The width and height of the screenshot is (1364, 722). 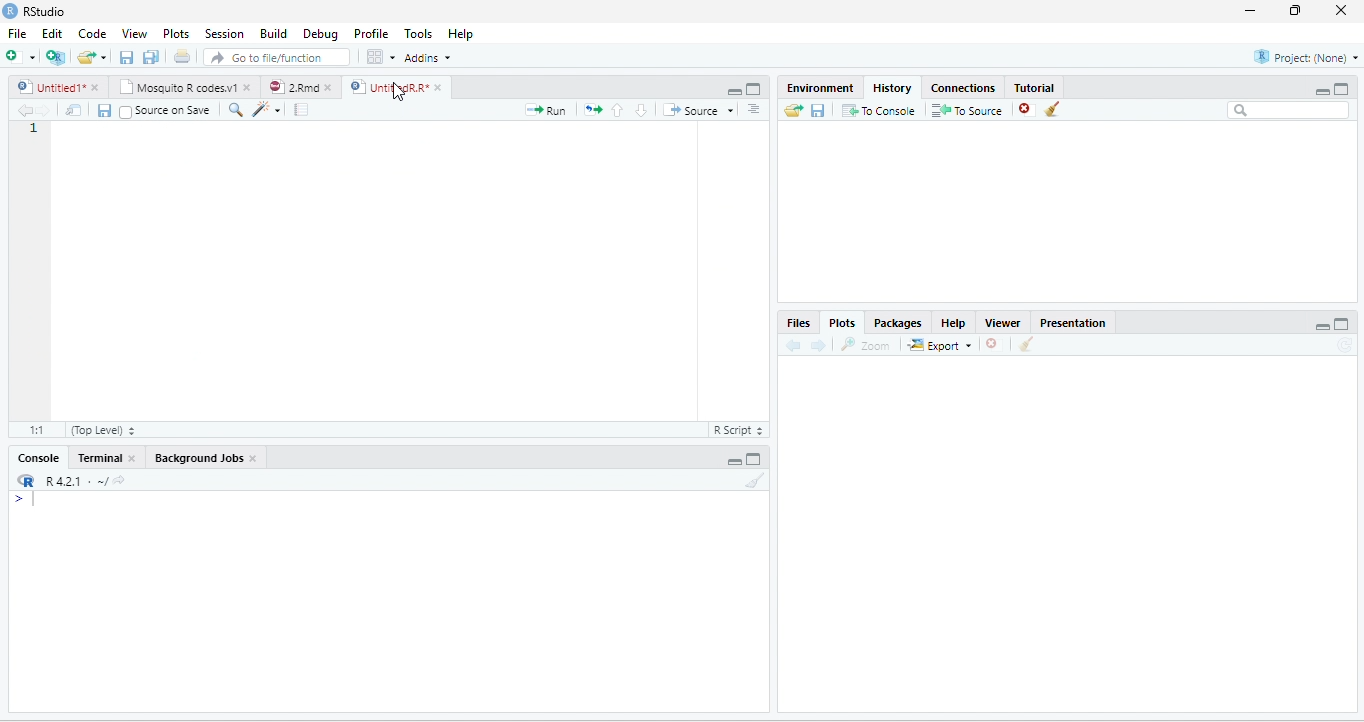 What do you see at coordinates (756, 480) in the screenshot?
I see `Clear console` at bounding box center [756, 480].